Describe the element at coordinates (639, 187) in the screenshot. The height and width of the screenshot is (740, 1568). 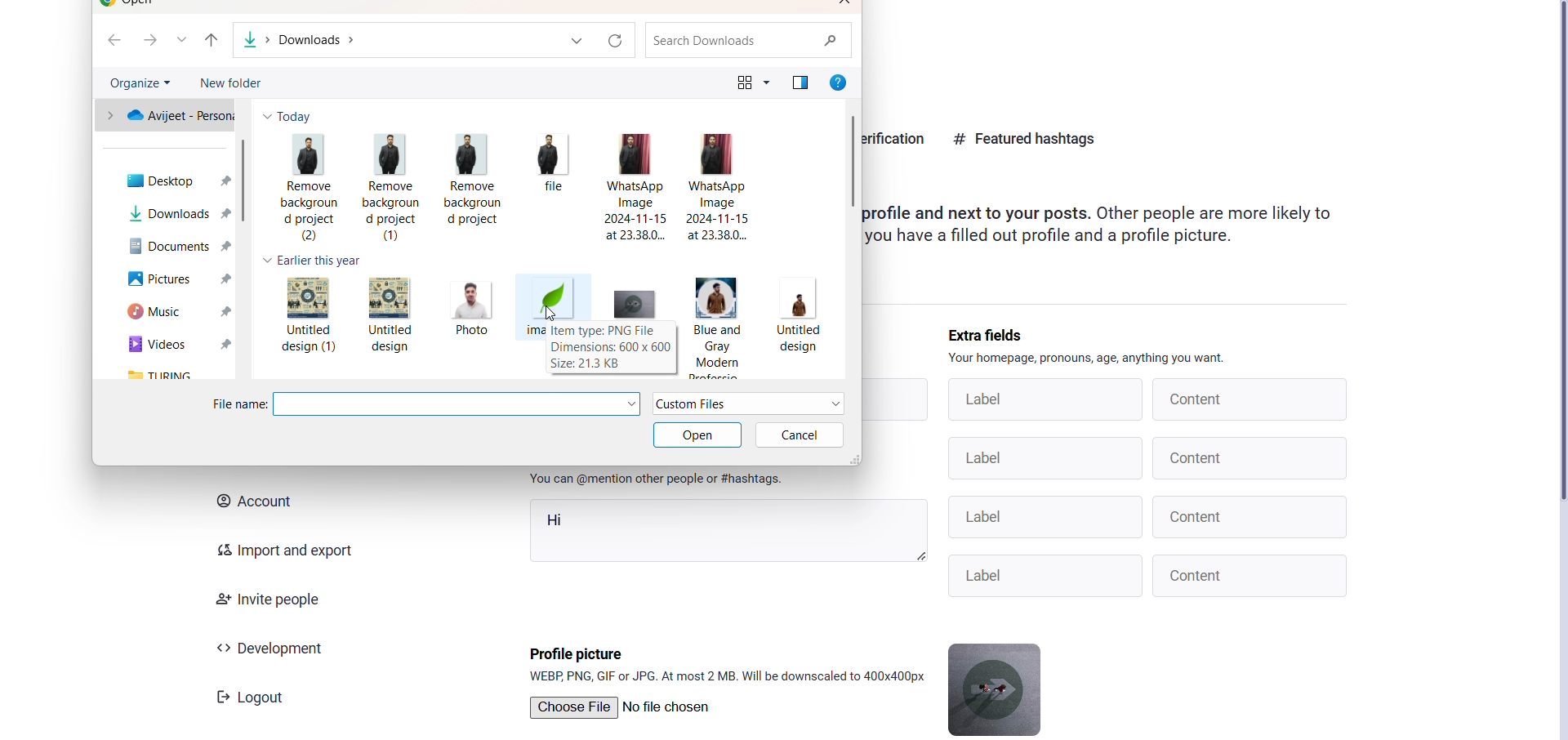
I see `WhatsApp Image 2024-11-15 at 23.38.0...` at that location.